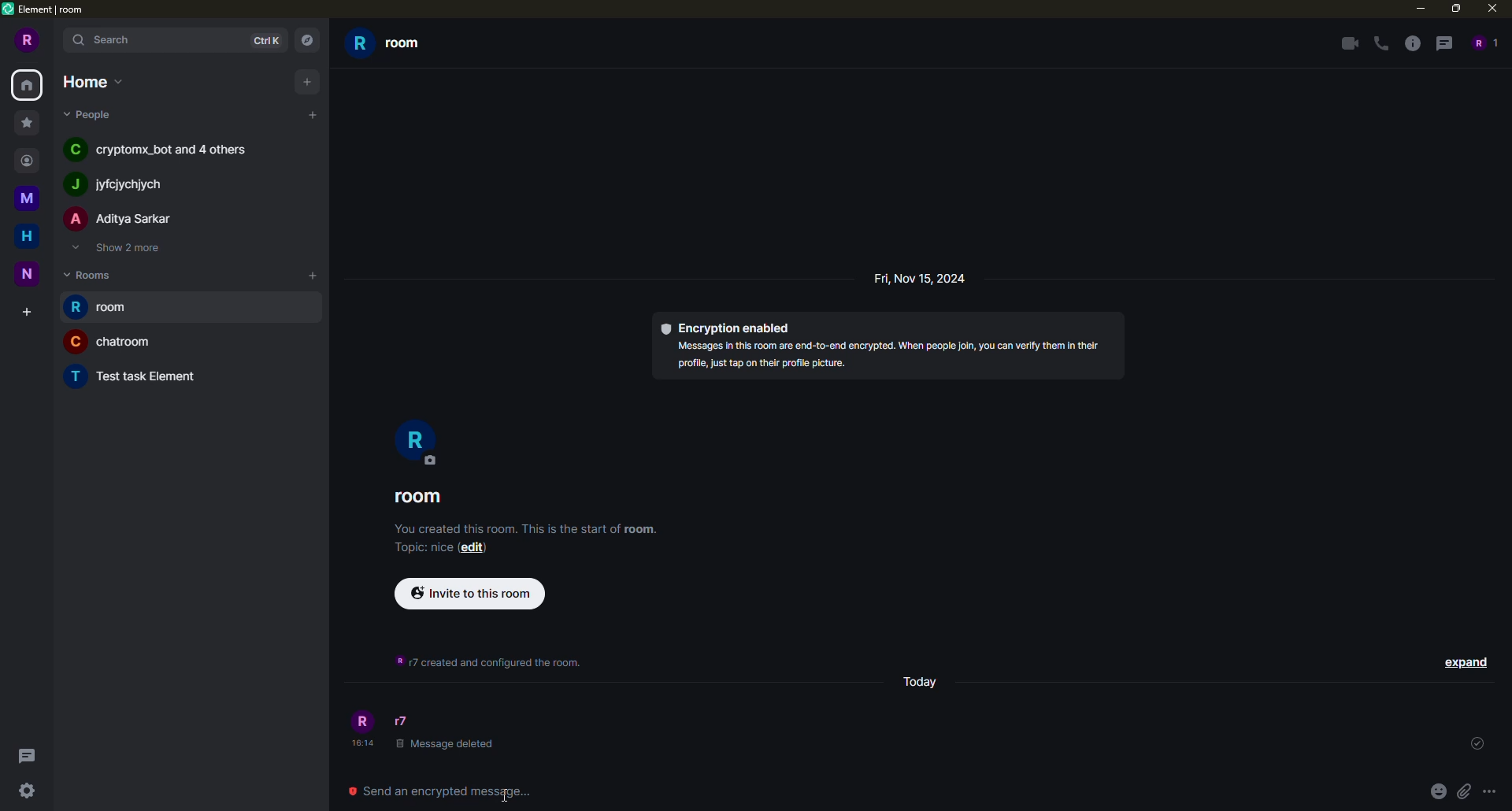  I want to click on day, so click(920, 683).